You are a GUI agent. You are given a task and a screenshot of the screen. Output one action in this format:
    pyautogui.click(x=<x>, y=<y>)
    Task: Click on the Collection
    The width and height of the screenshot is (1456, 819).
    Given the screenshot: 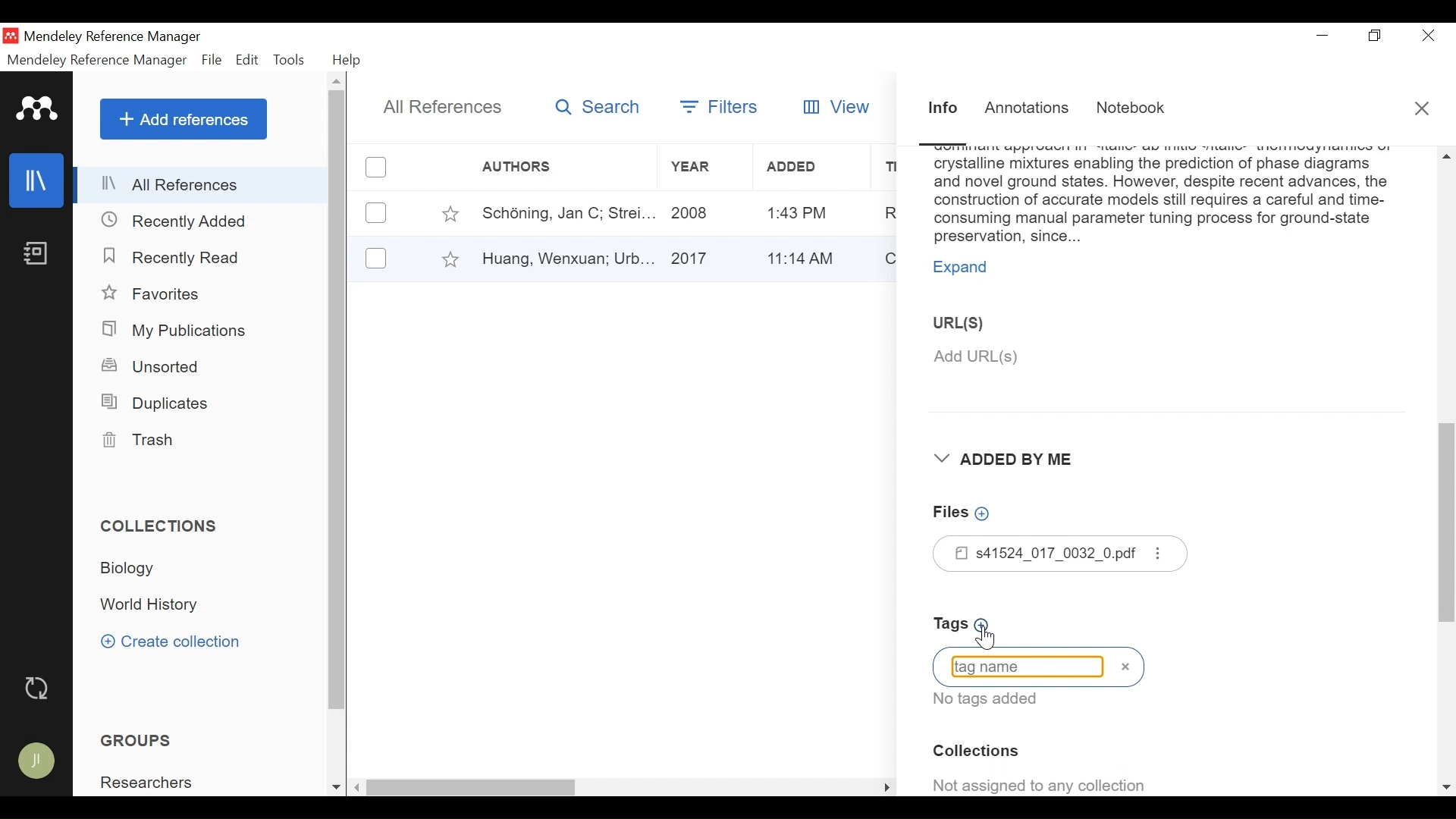 What is the action you would take?
    pyautogui.click(x=979, y=752)
    